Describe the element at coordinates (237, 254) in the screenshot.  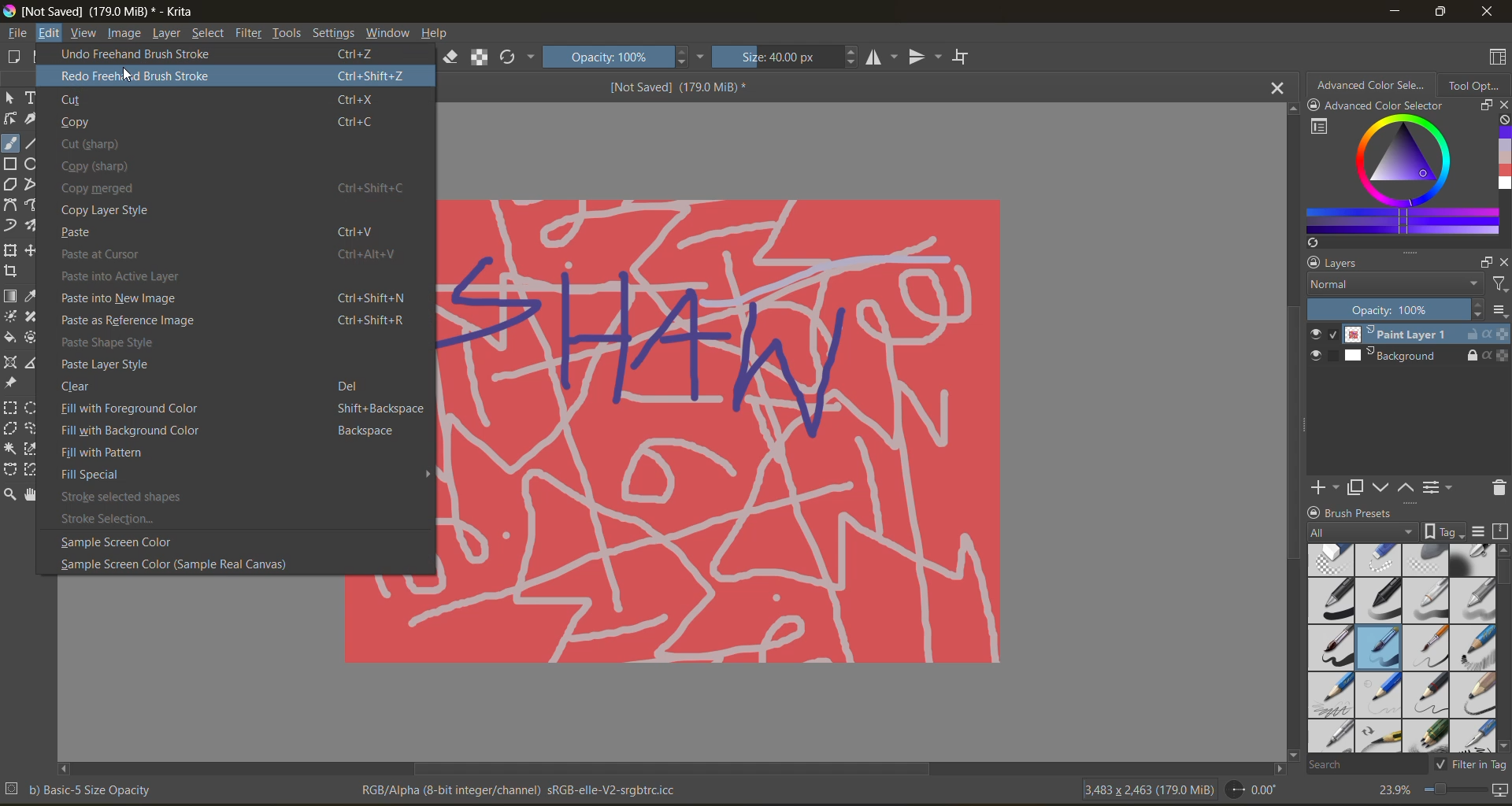
I see `paste at cursor    Ctrl+Alt+V` at that location.